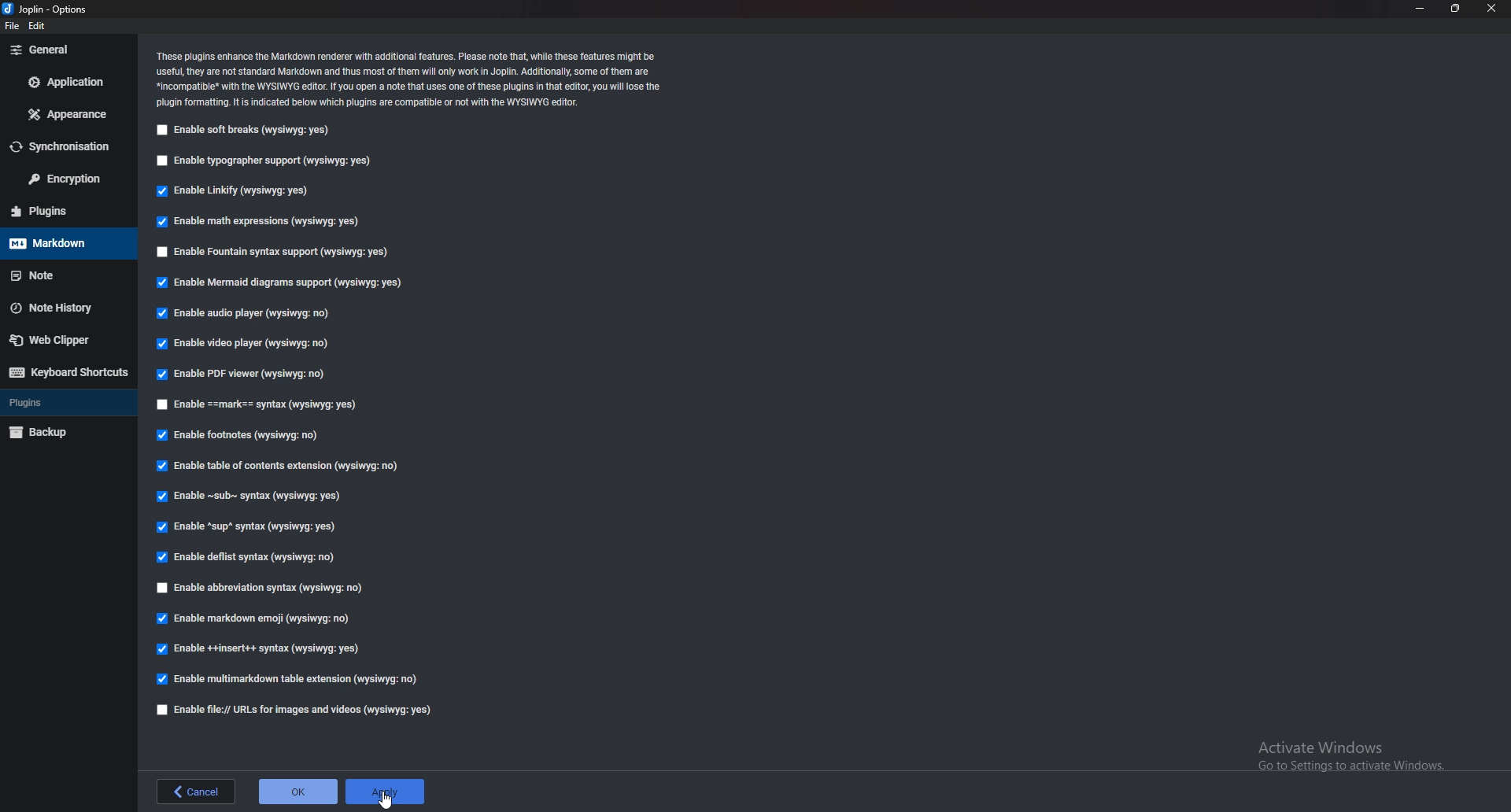 This screenshot has height=812, width=1511. I want to click on encryption, so click(63, 180).